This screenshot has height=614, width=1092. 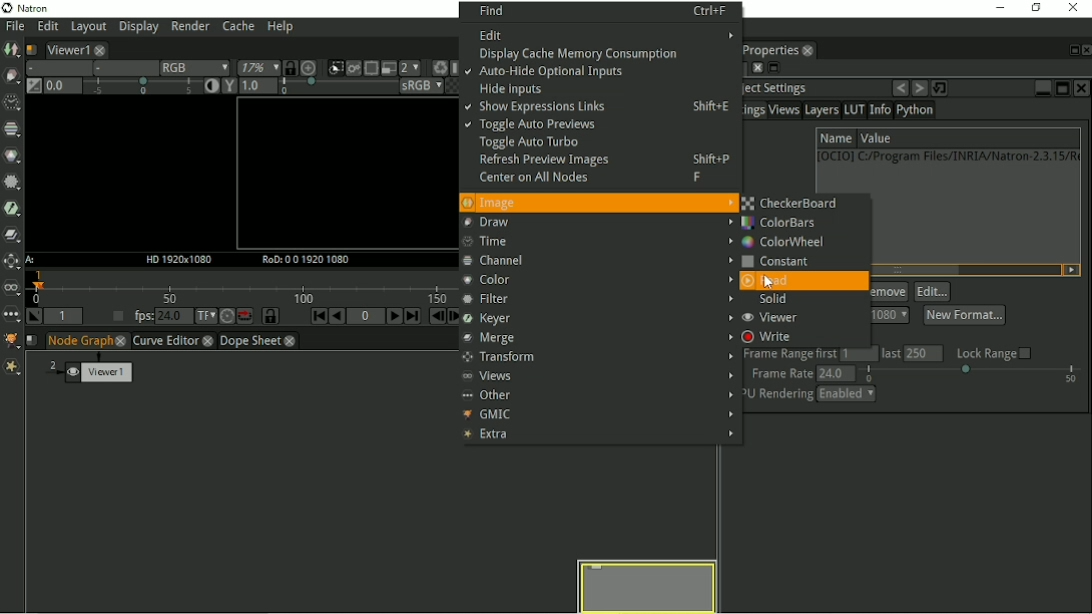 What do you see at coordinates (55, 68) in the screenshot?
I see `Layer` at bounding box center [55, 68].